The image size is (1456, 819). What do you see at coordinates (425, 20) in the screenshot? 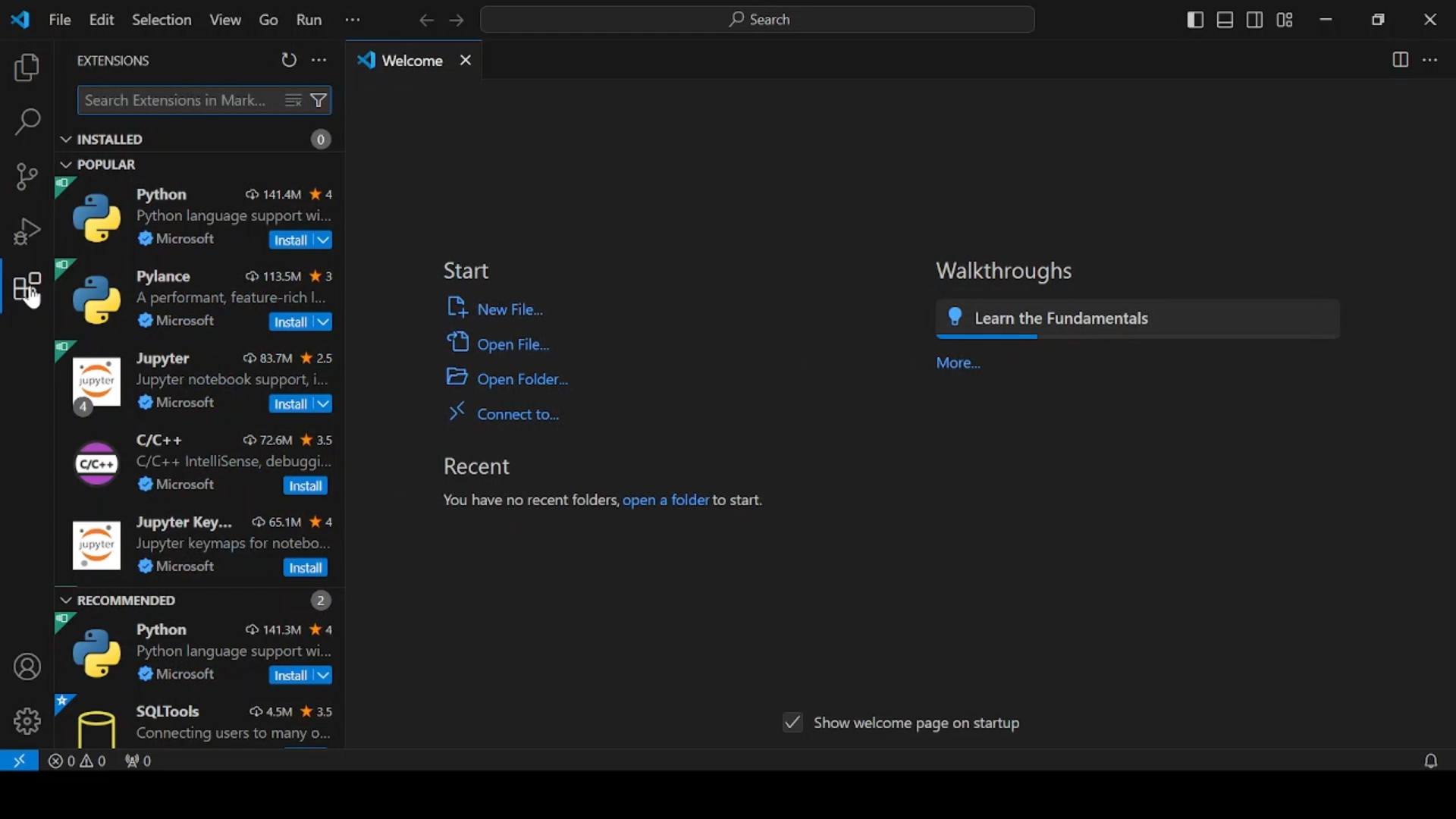
I see `previous` at bounding box center [425, 20].